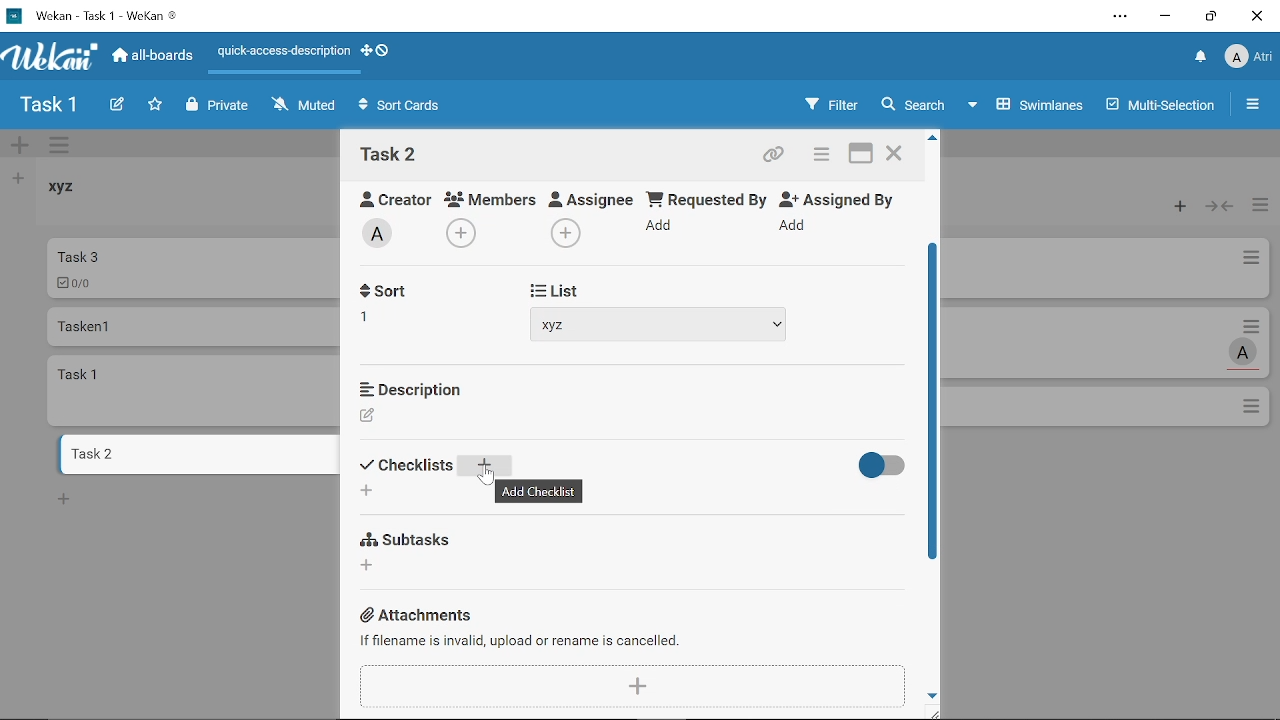 This screenshot has width=1280, height=720. What do you see at coordinates (1248, 59) in the screenshot?
I see `Profile` at bounding box center [1248, 59].